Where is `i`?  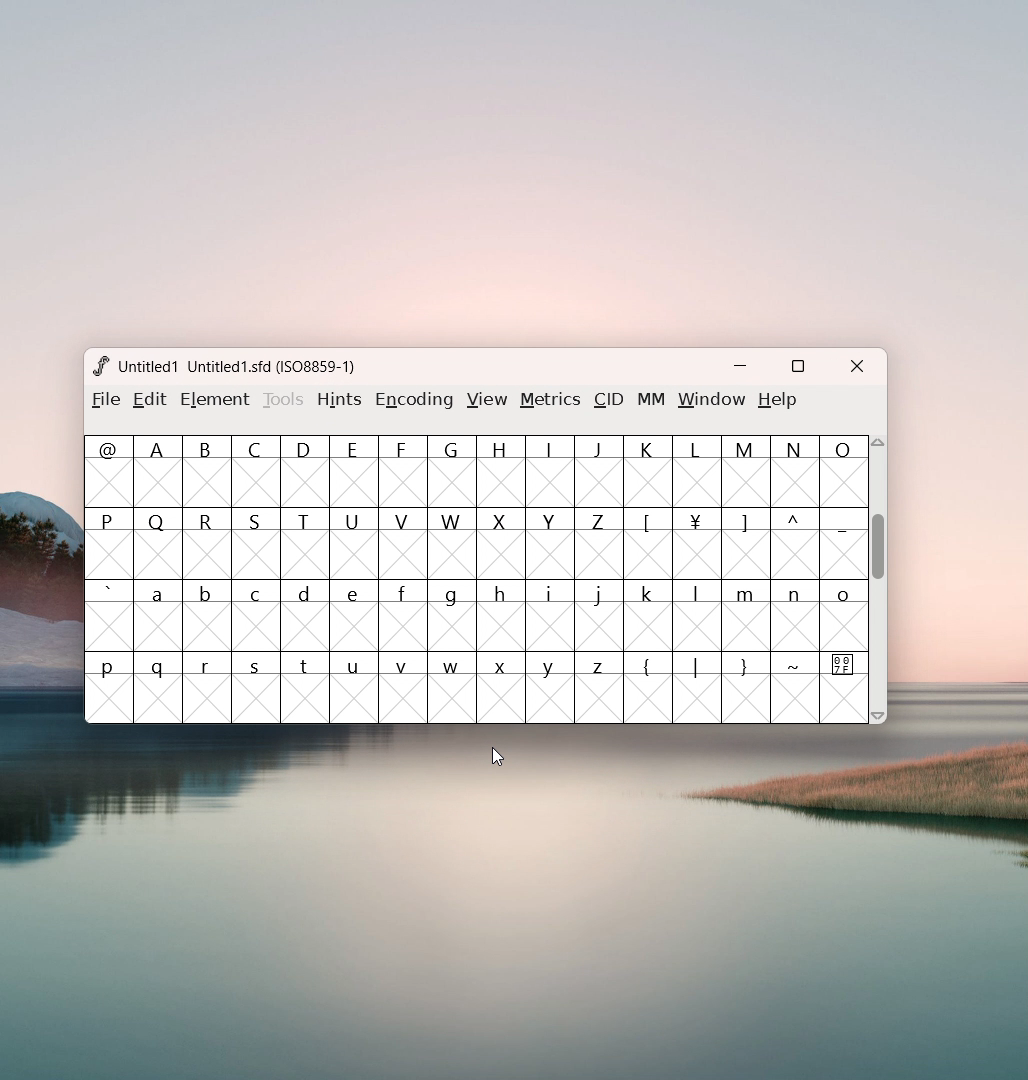
i is located at coordinates (552, 616).